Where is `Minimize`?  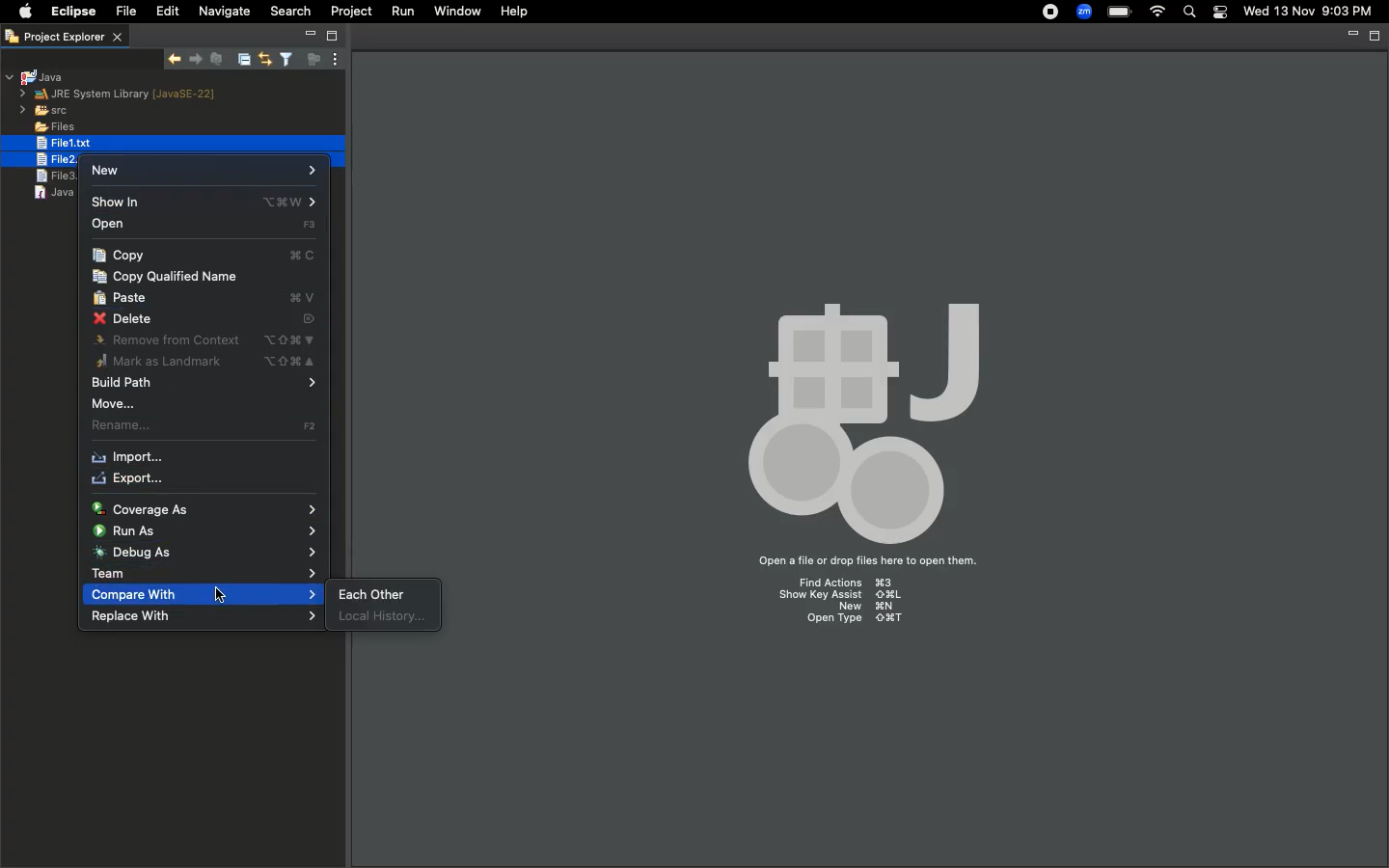 Minimize is located at coordinates (311, 34).